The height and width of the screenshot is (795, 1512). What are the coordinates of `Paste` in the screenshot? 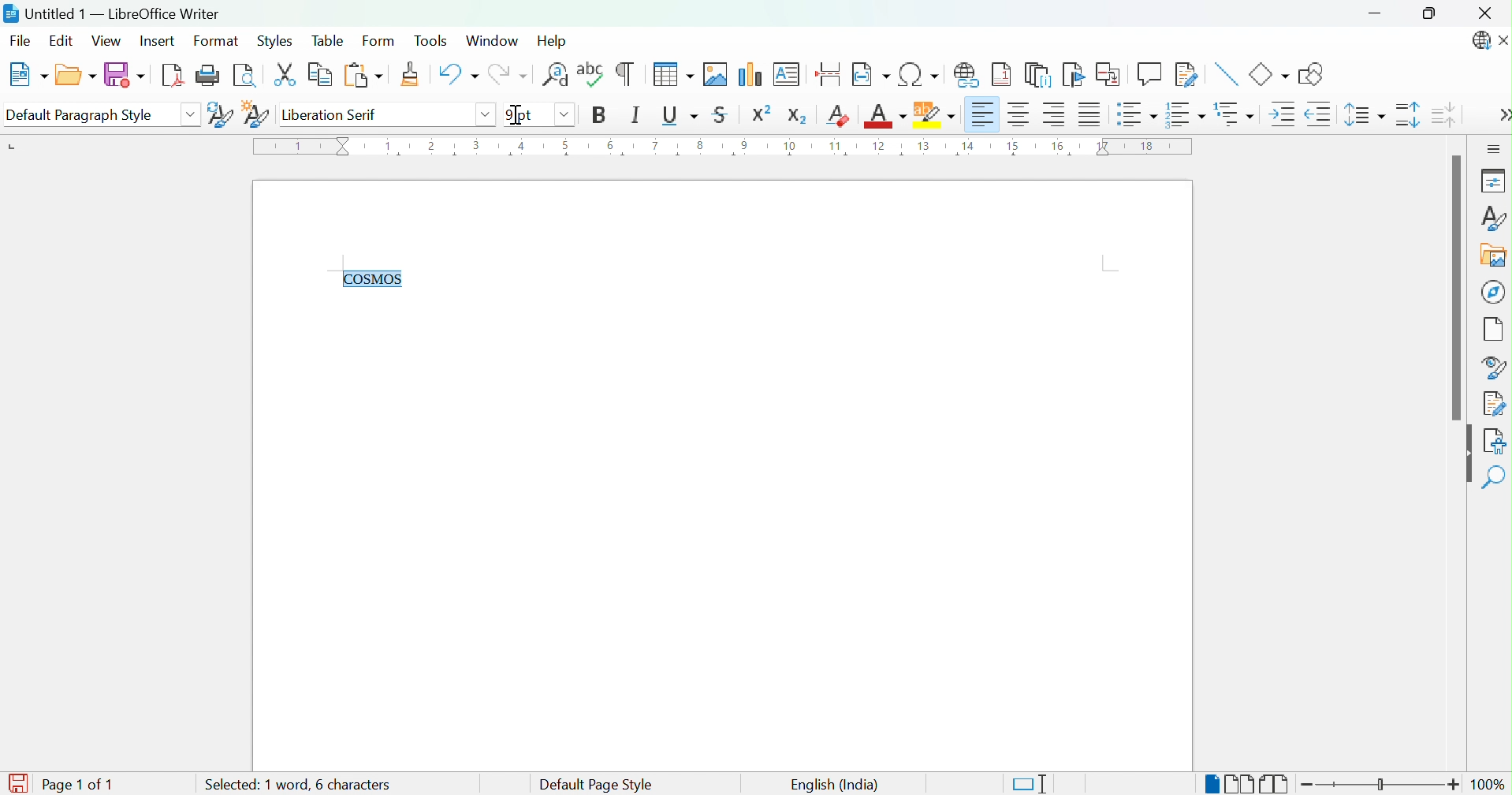 It's located at (361, 76).